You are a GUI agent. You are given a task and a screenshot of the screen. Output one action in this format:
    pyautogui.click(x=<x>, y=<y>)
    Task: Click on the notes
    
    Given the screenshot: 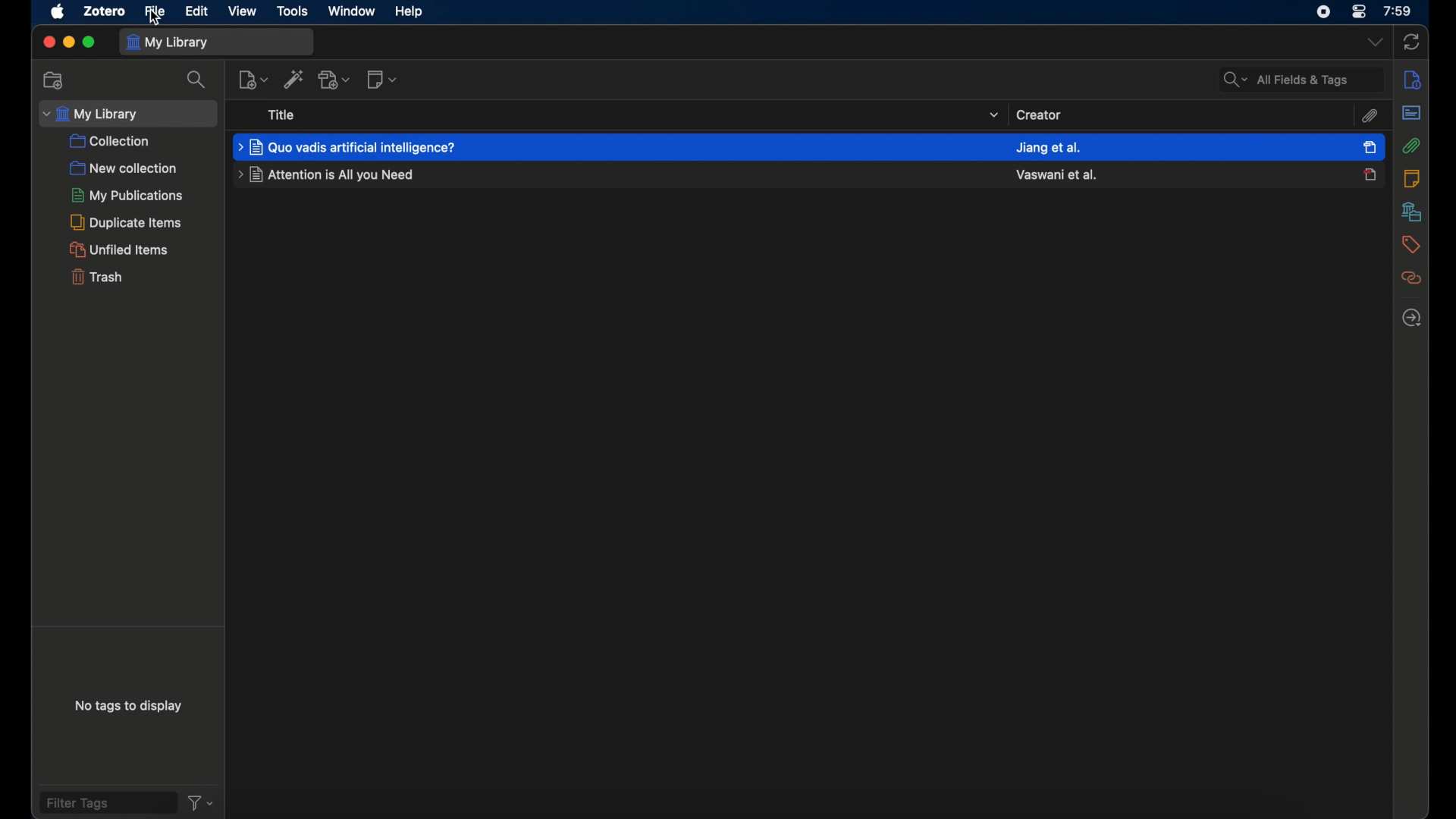 What is the action you would take?
    pyautogui.click(x=1411, y=179)
    